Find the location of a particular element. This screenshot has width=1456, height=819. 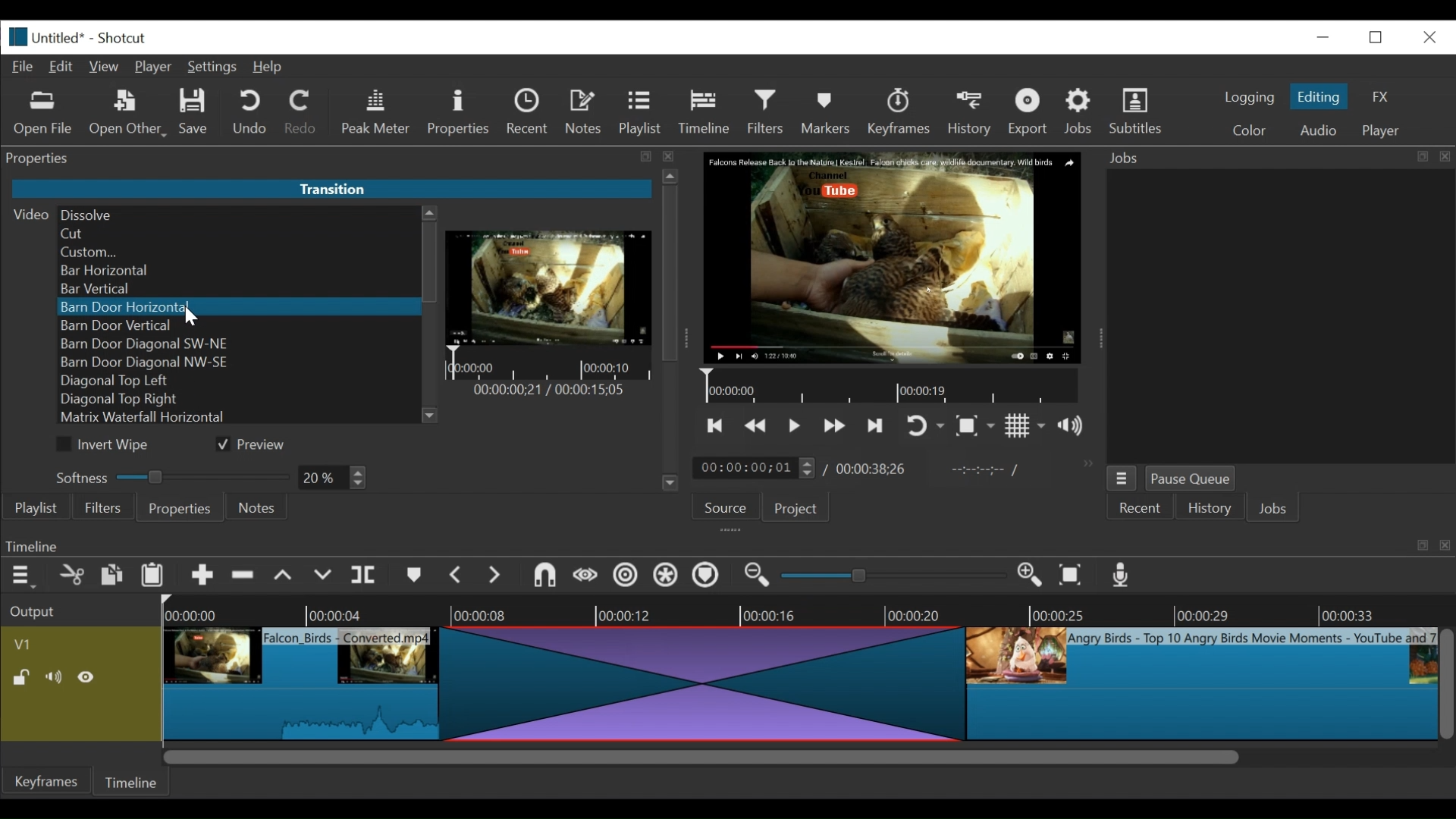

clip is located at coordinates (1202, 686).